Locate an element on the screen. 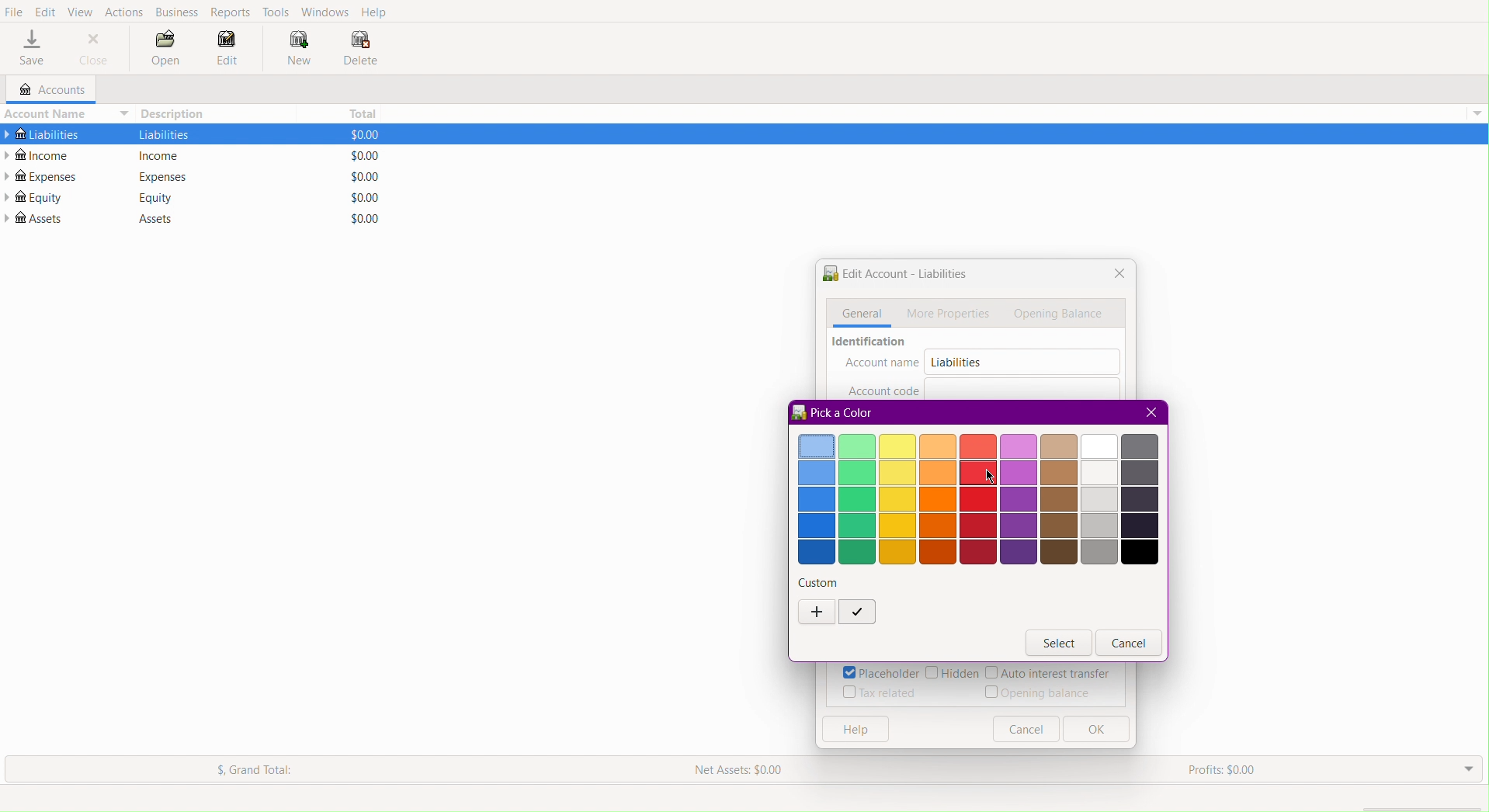  Delete is located at coordinates (360, 50).